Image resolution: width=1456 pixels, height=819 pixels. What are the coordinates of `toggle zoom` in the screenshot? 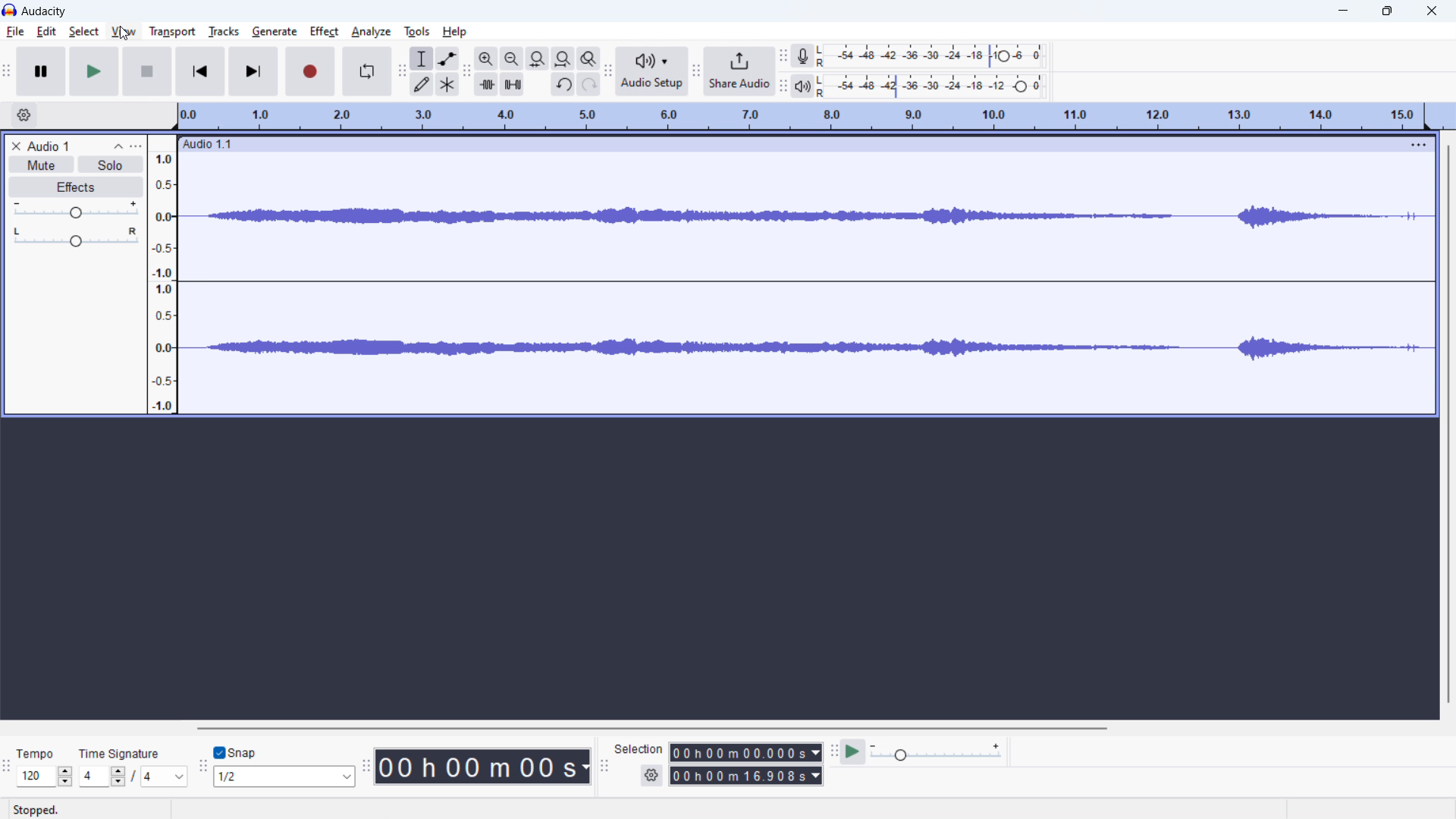 It's located at (588, 58).